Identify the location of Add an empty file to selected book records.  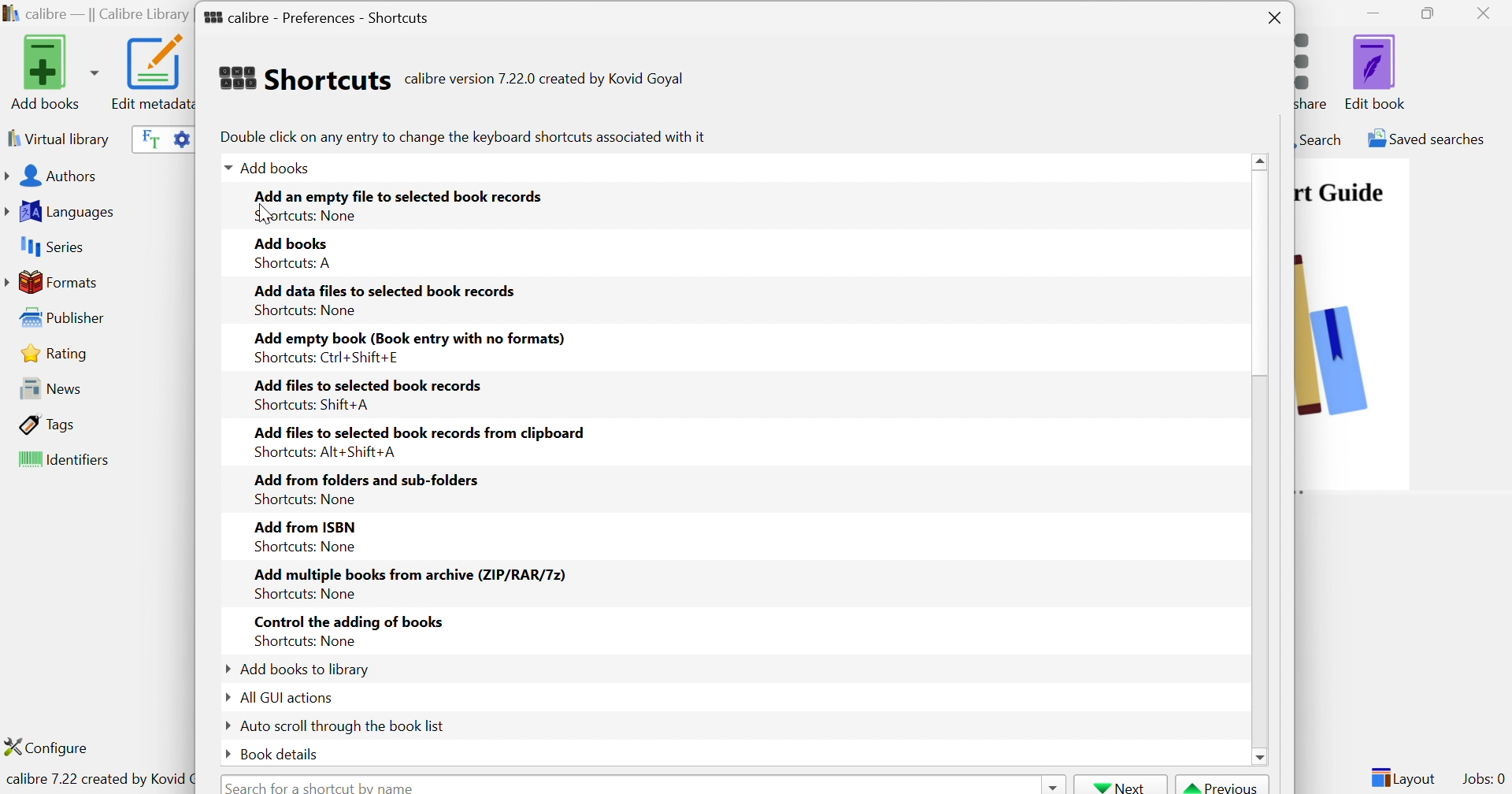
(399, 195).